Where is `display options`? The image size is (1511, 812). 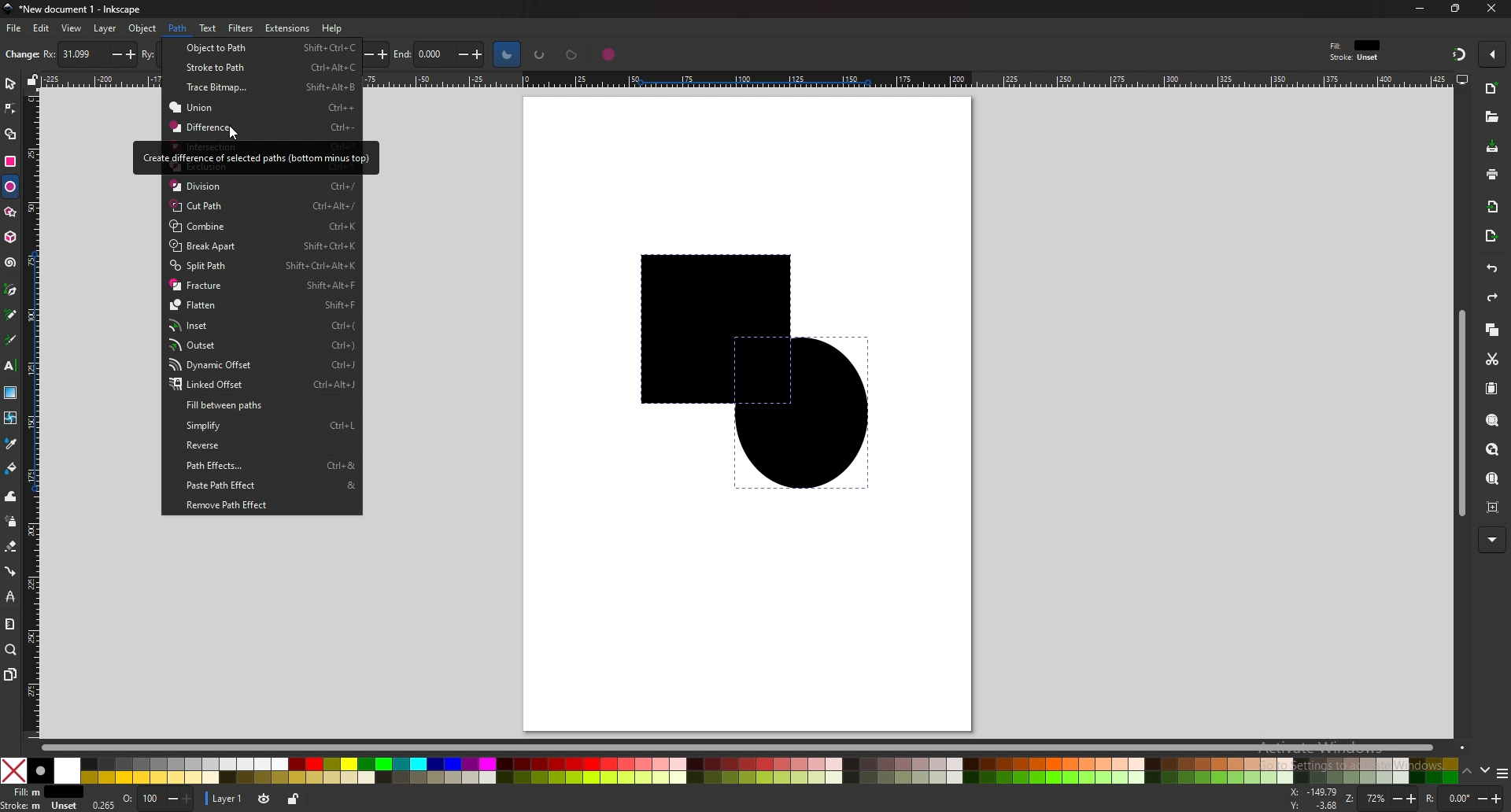
display options is located at coordinates (1461, 79).